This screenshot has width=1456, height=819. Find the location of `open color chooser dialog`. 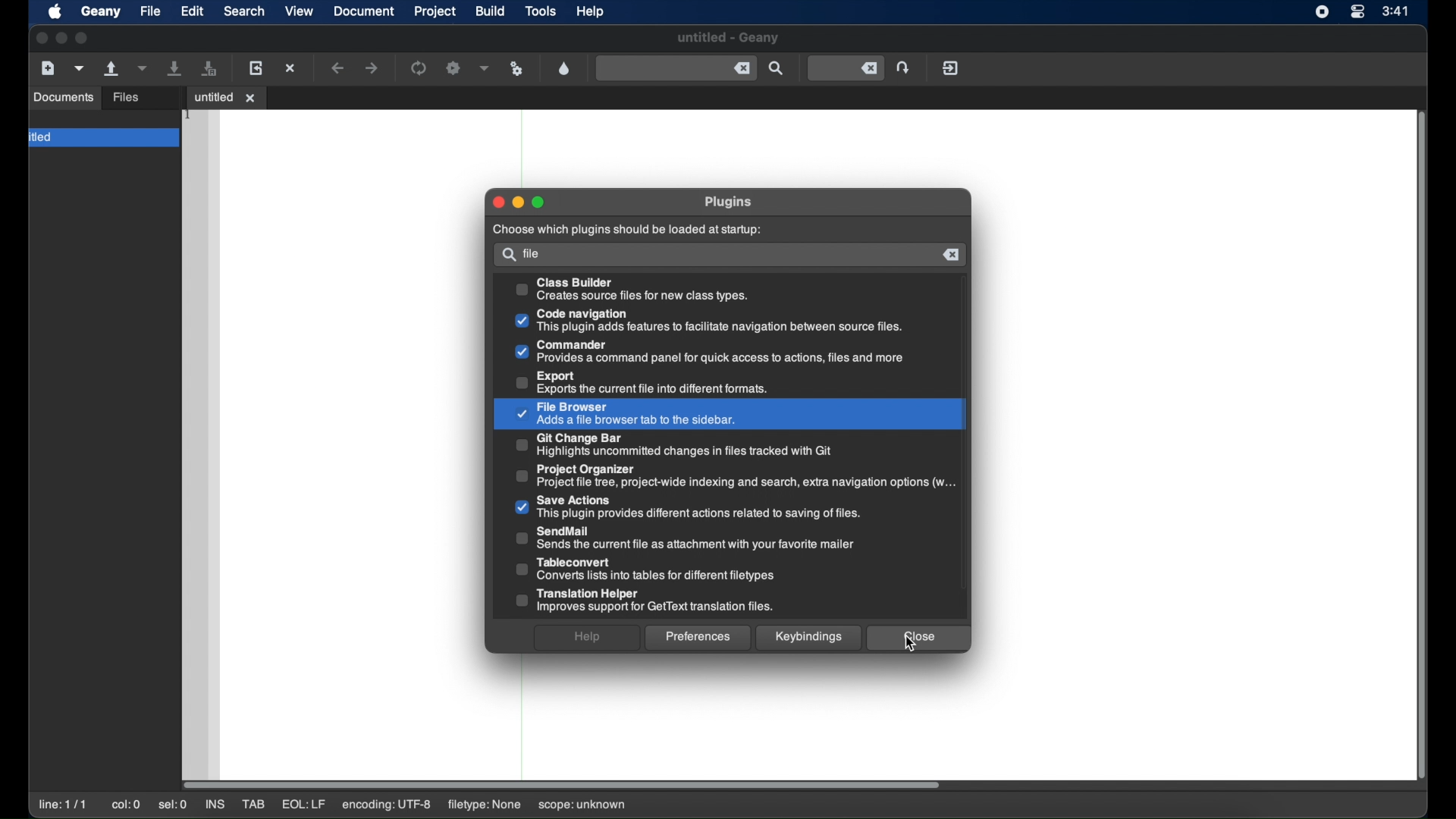

open color chooser dialog is located at coordinates (564, 69).